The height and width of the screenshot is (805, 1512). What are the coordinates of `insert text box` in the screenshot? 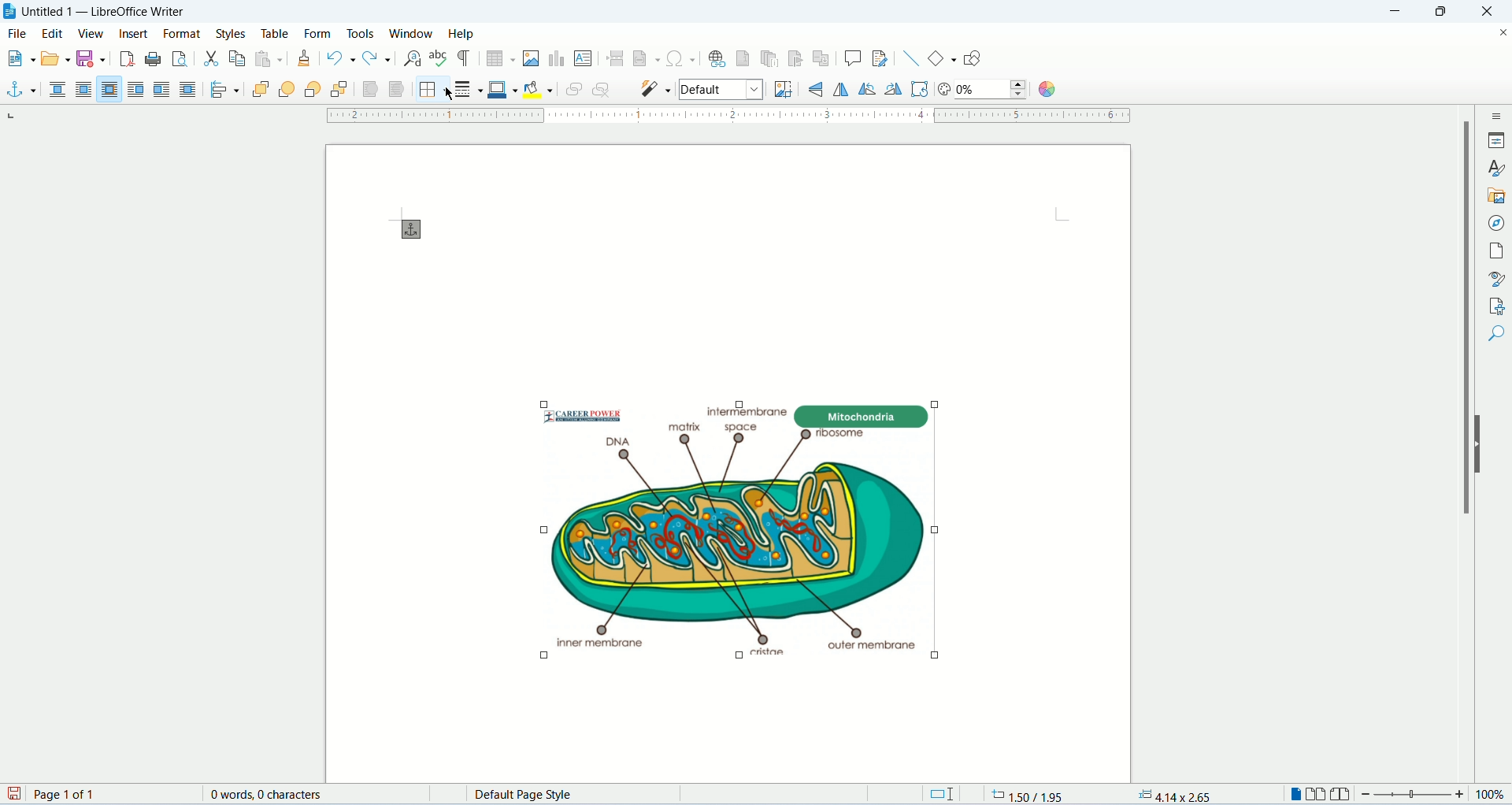 It's located at (583, 57).